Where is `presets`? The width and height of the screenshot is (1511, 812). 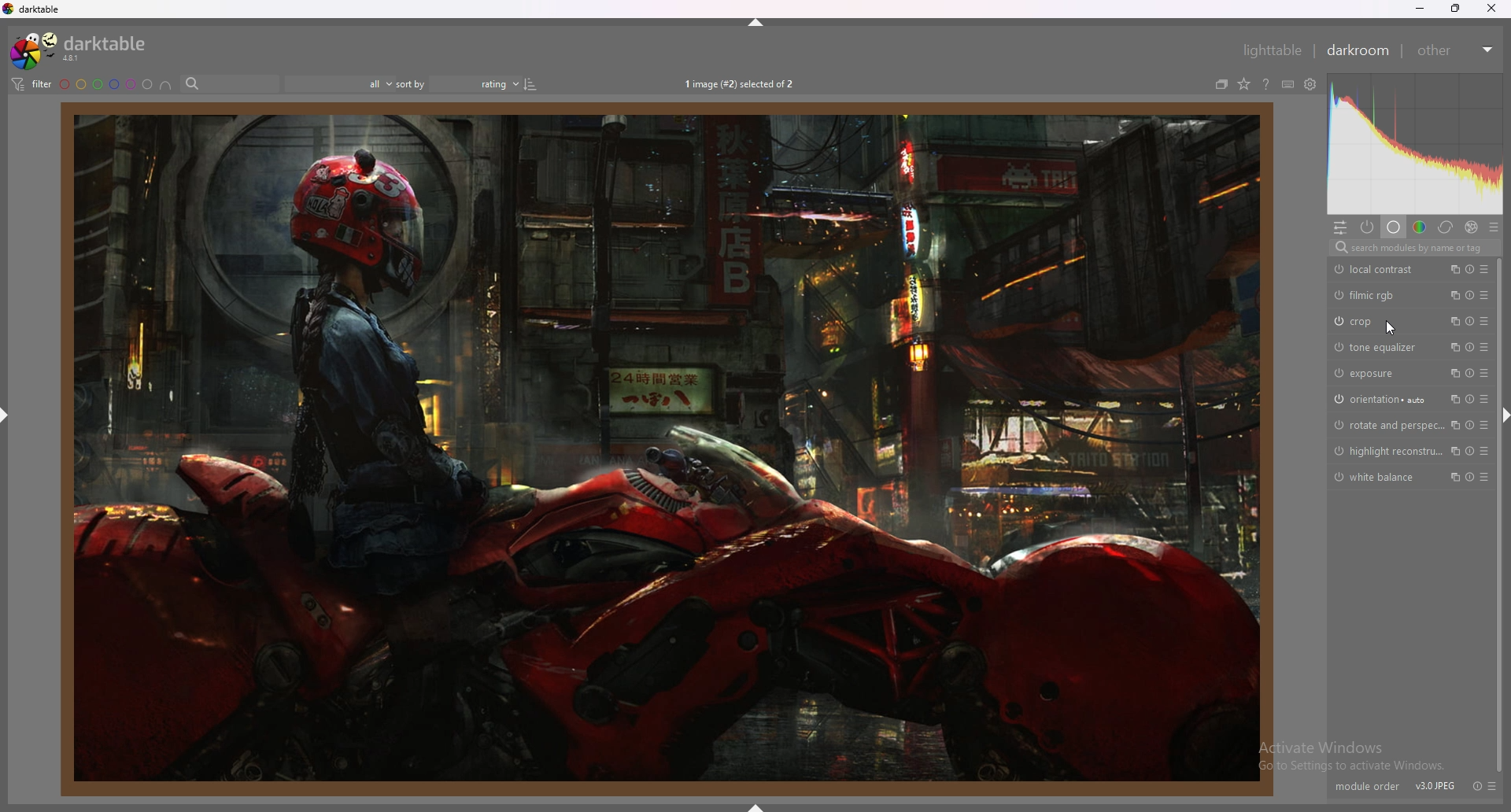
presets is located at coordinates (1484, 425).